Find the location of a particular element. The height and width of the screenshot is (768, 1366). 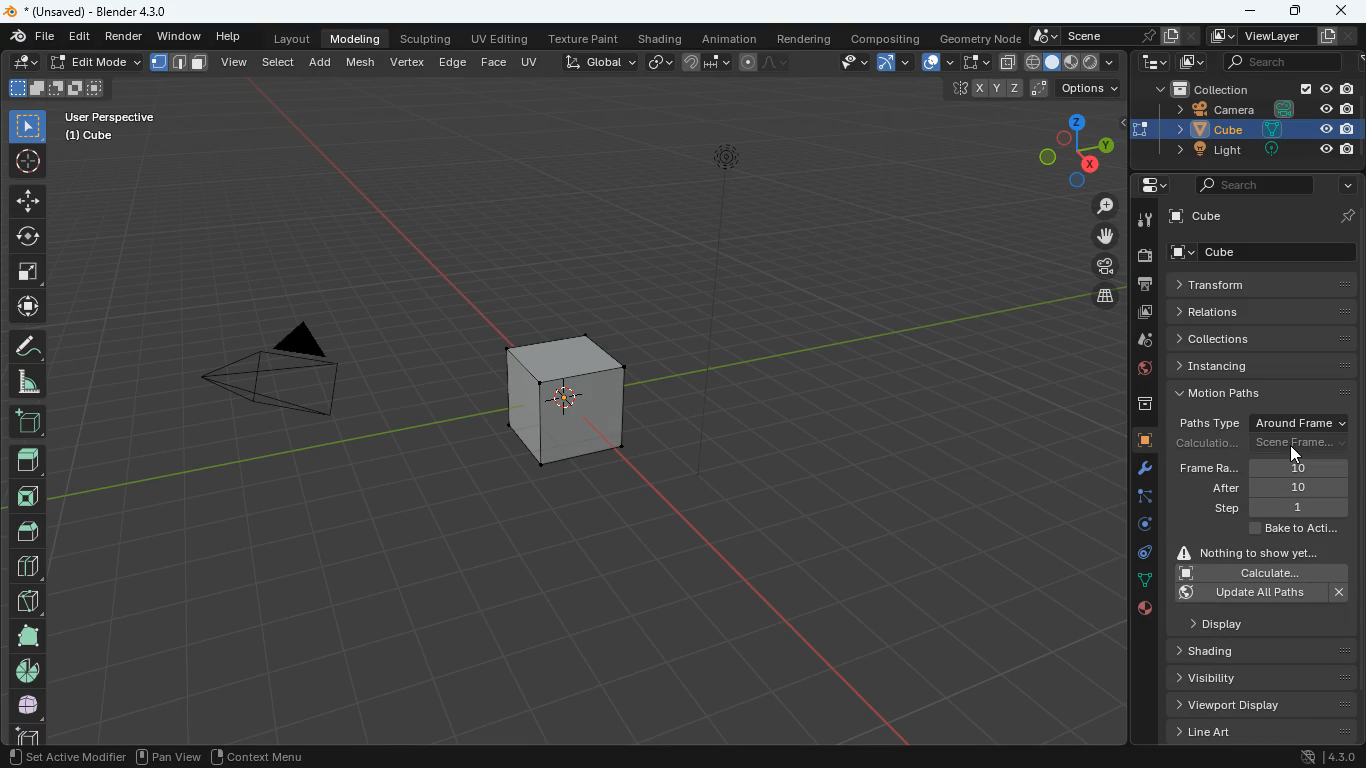

paths type is located at coordinates (1209, 423).